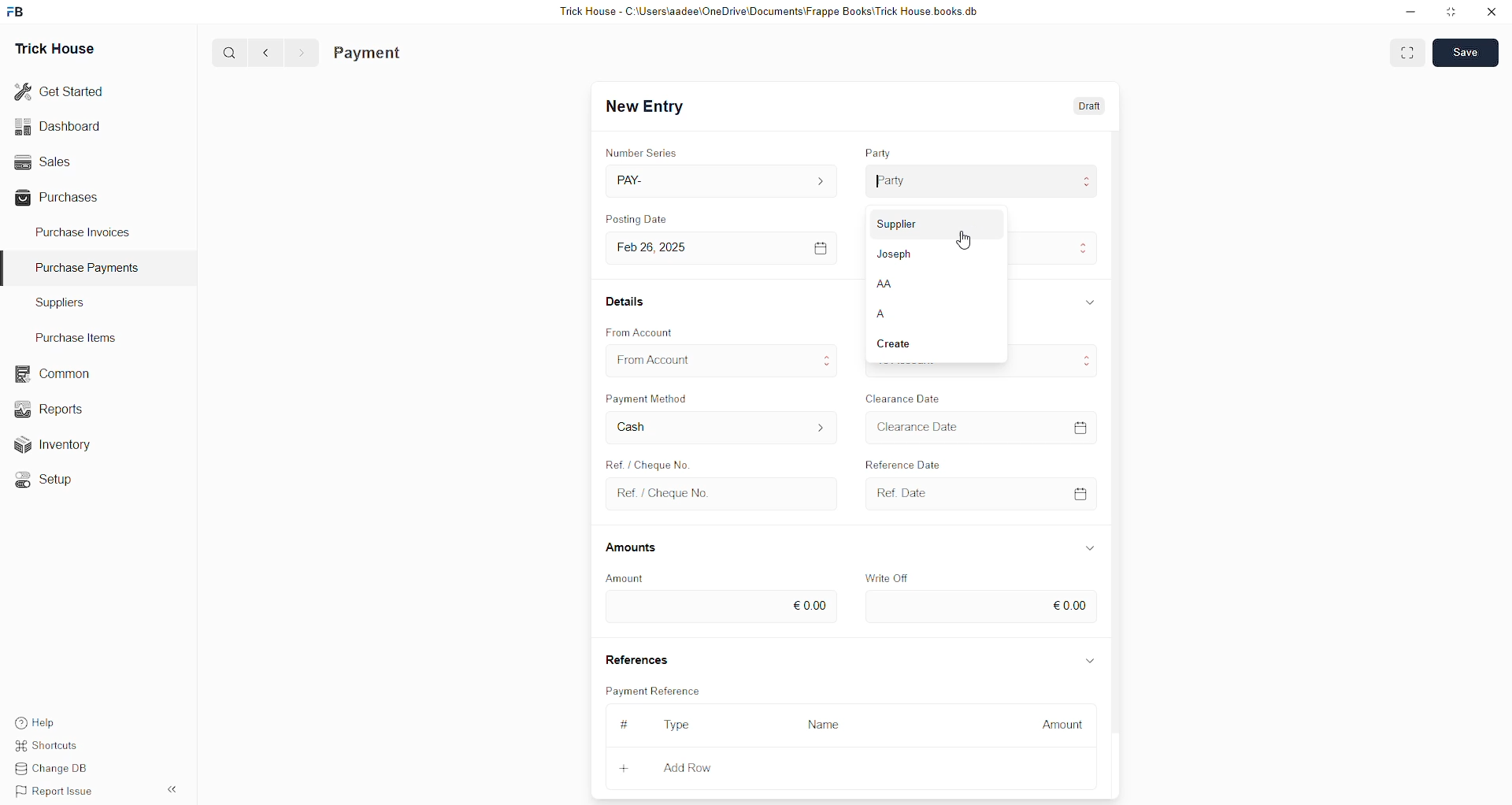 This screenshot has height=805, width=1512. Describe the element at coordinates (636, 658) in the screenshot. I see `References` at that location.